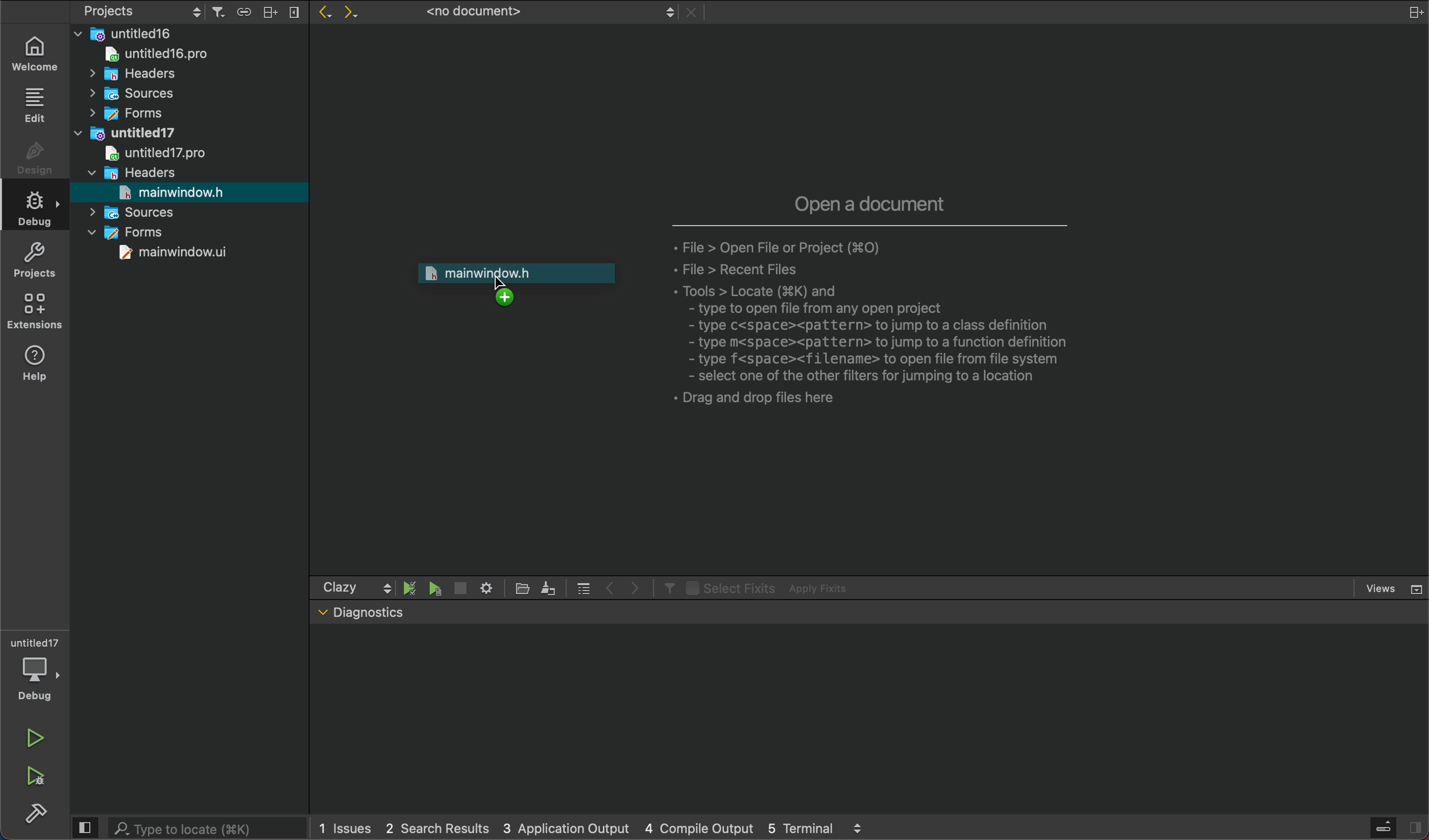 The width and height of the screenshot is (1429, 840). Describe the element at coordinates (38, 53) in the screenshot. I see `WELCOME` at that location.